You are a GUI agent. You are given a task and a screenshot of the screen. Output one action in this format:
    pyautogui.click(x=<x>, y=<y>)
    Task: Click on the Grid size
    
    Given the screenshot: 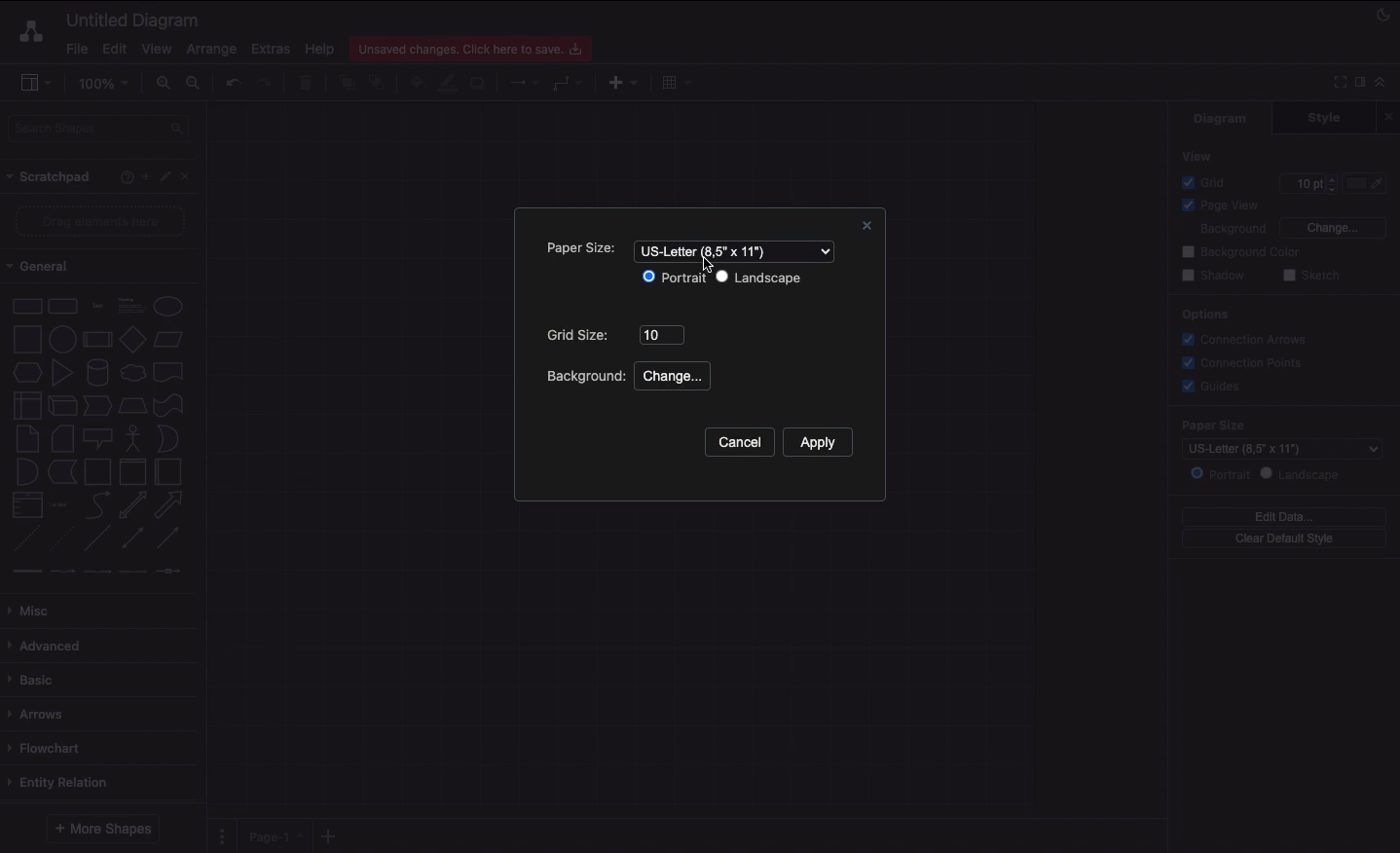 What is the action you would take?
    pyautogui.click(x=582, y=335)
    